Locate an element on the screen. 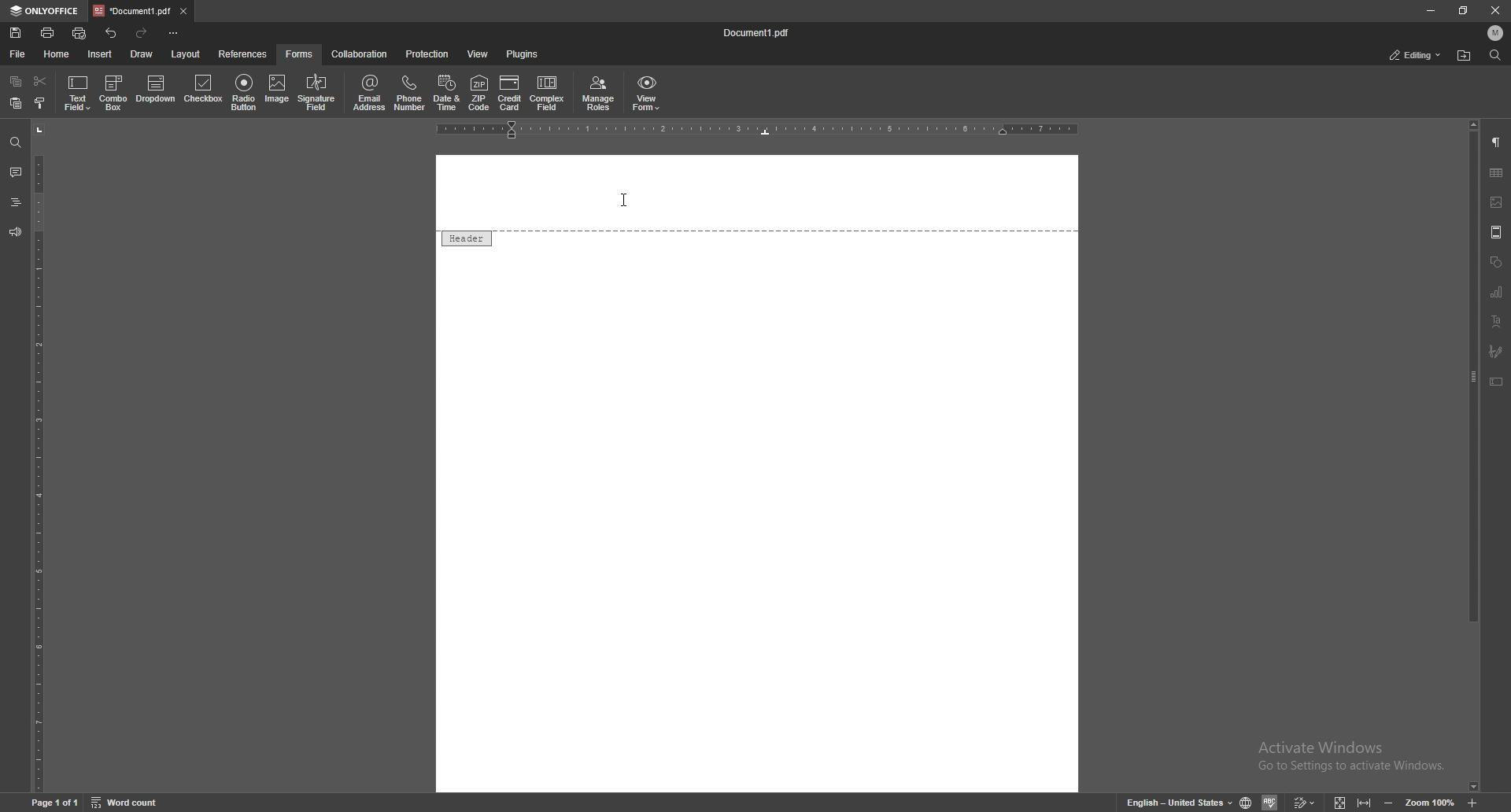 The image size is (1511, 812). track changes is located at coordinates (1305, 802).